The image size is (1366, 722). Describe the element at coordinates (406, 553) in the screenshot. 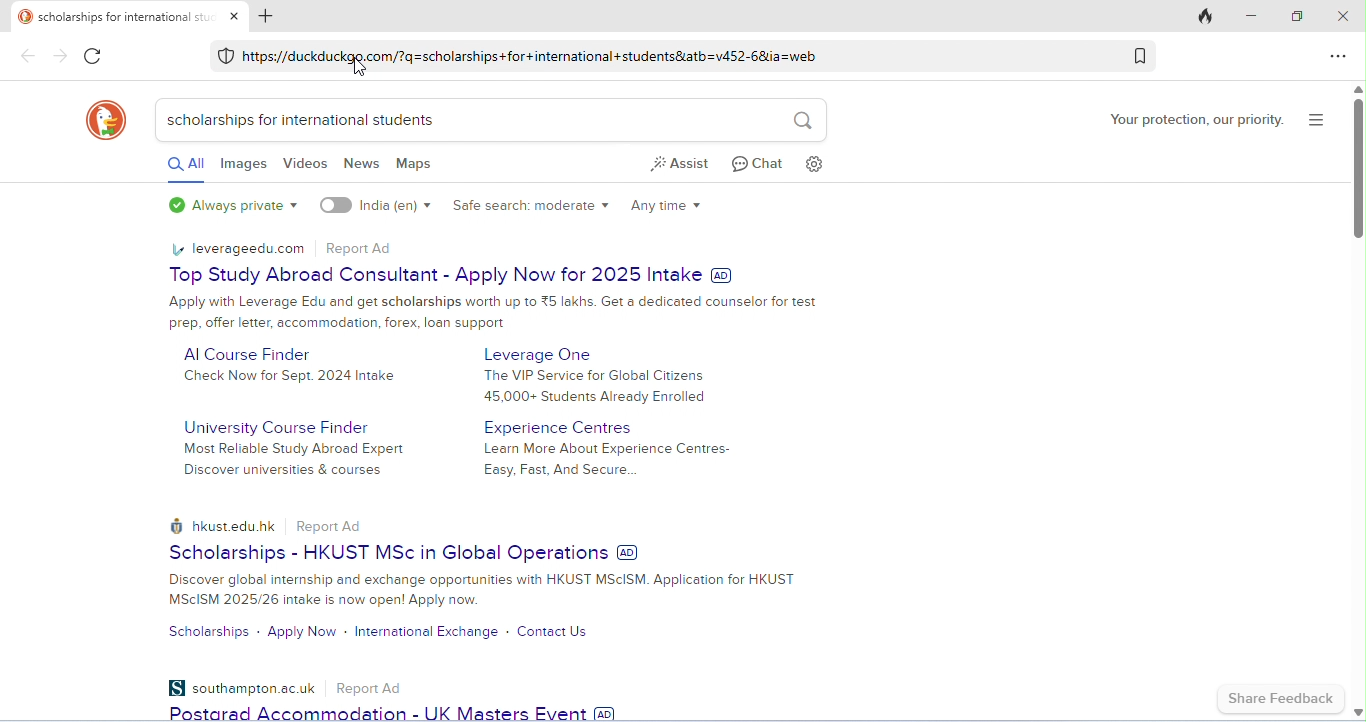

I see `Scholarships - HKUST MSc in Global Operations` at that location.